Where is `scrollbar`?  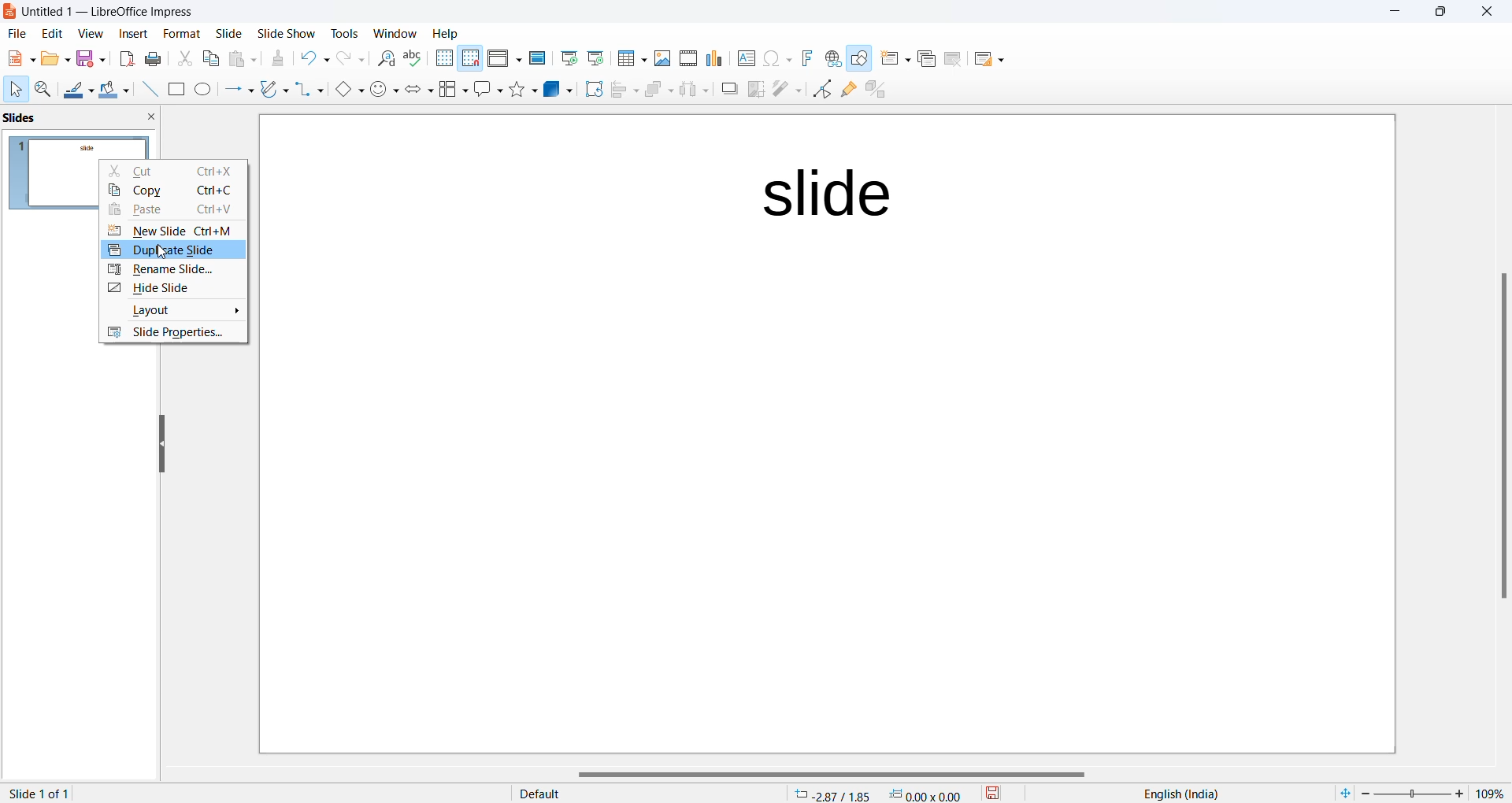 scrollbar is located at coordinates (1503, 435).